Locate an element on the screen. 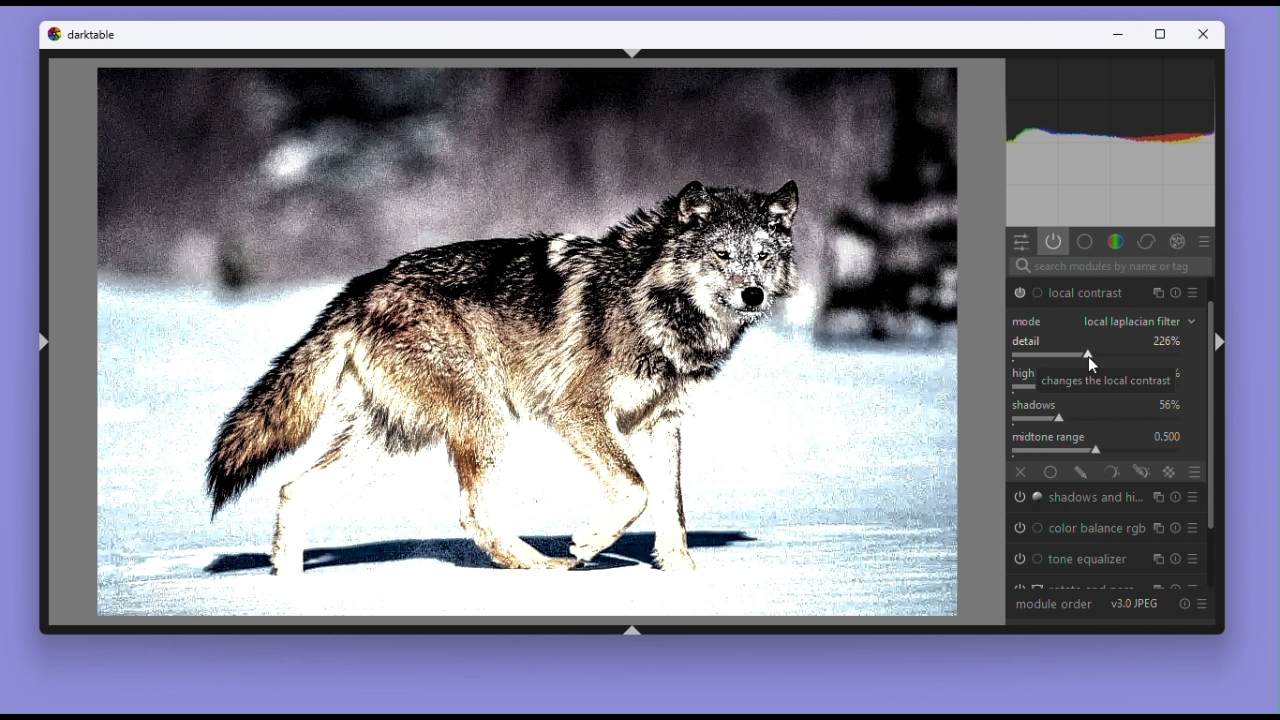 This screenshot has height=720, width=1280. base is located at coordinates (1086, 241).